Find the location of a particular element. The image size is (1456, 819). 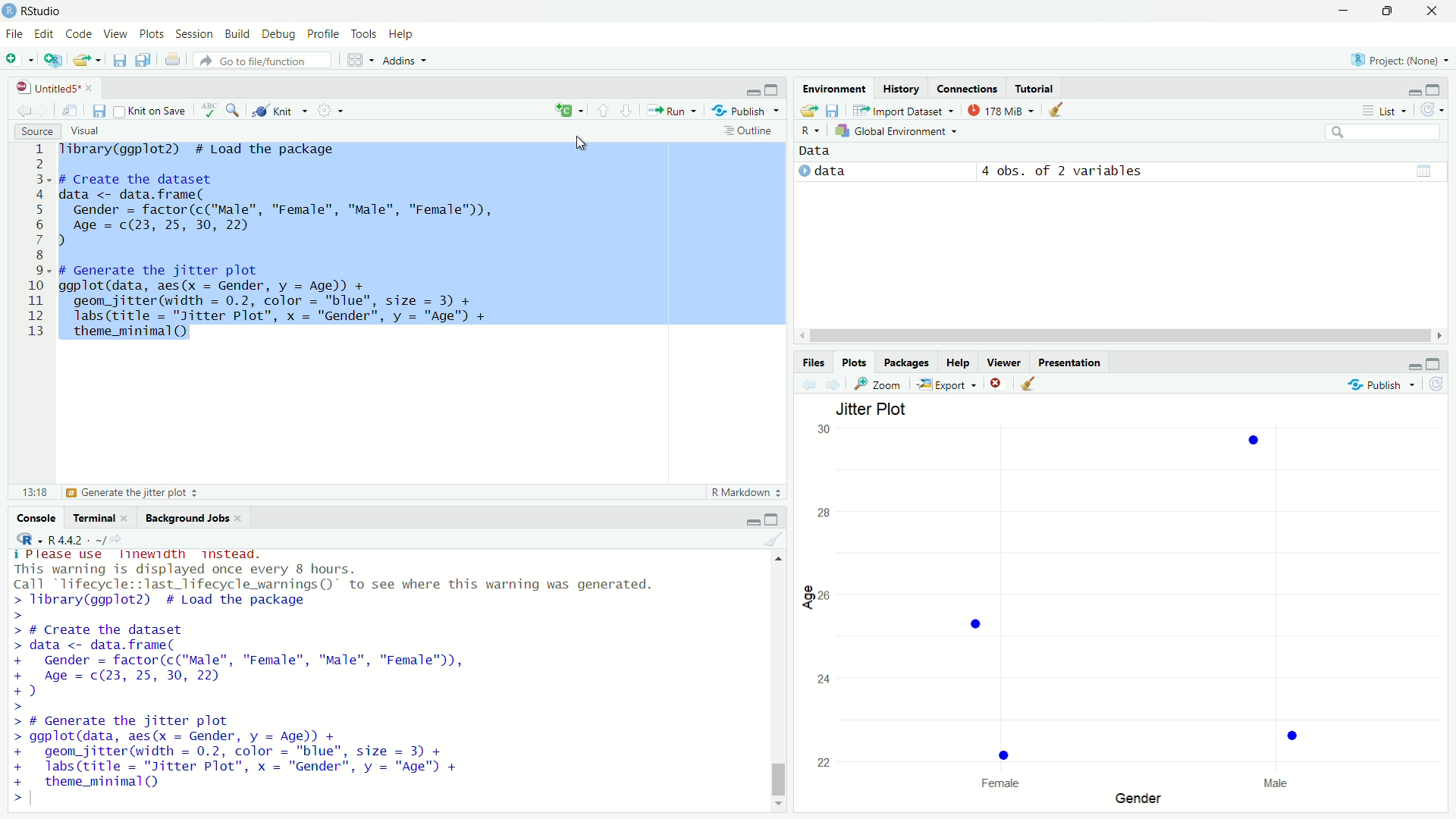

clear objects from the workspace is located at coordinates (1062, 110).